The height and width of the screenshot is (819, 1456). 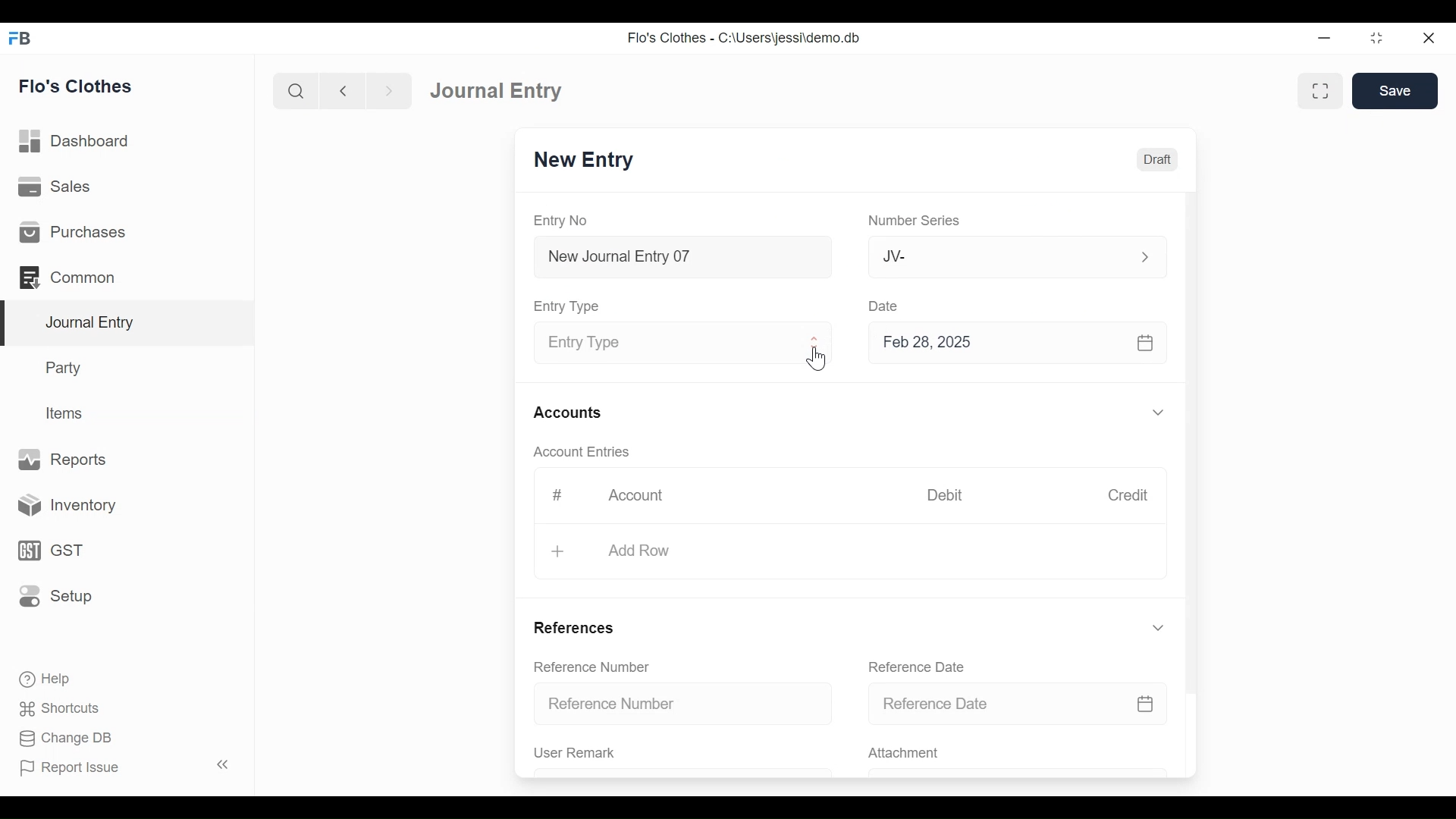 I want to click on Party, so click(x=66, y=367).